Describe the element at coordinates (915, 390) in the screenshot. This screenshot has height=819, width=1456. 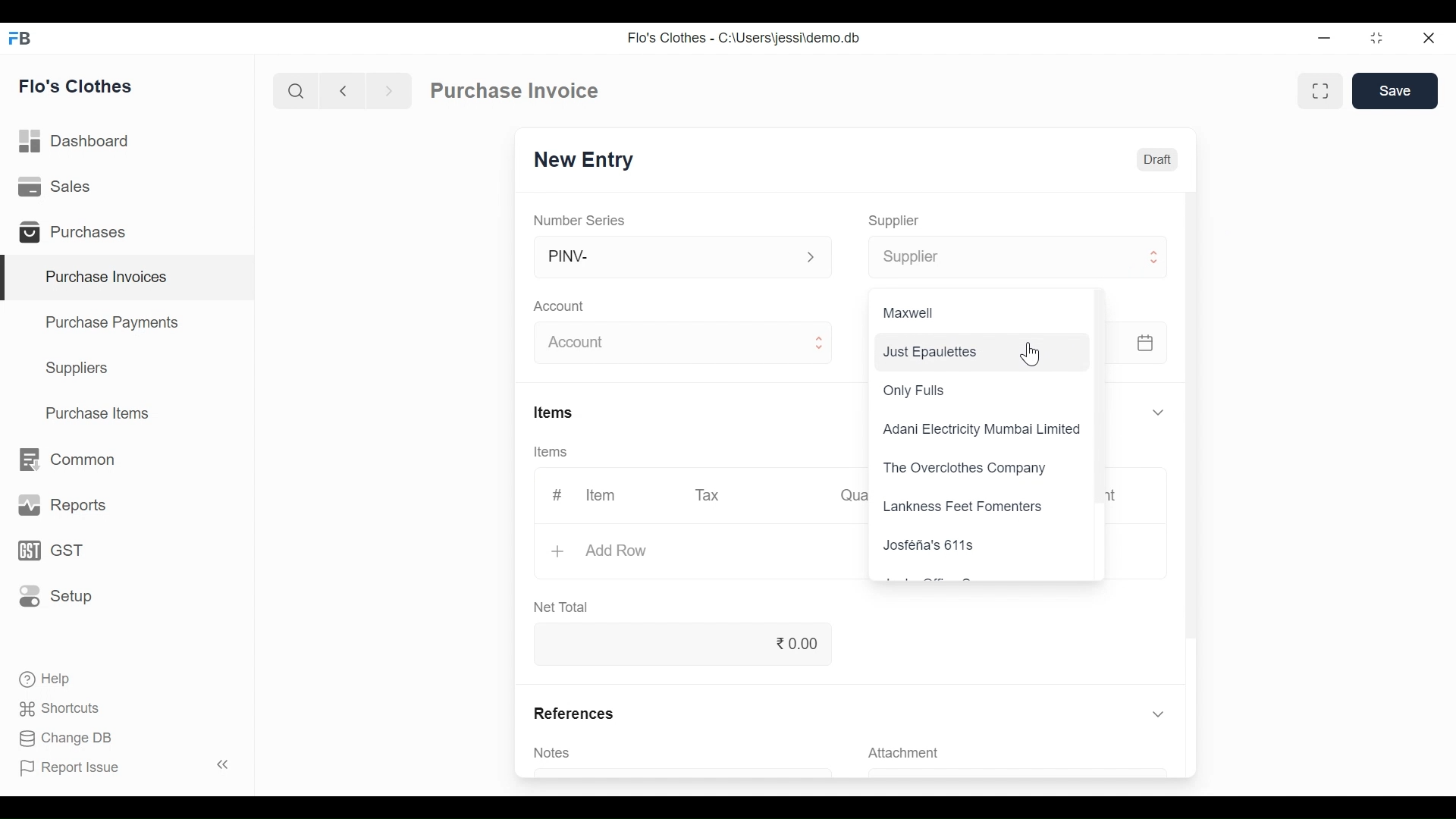
I see `Only Fulls` at that location.